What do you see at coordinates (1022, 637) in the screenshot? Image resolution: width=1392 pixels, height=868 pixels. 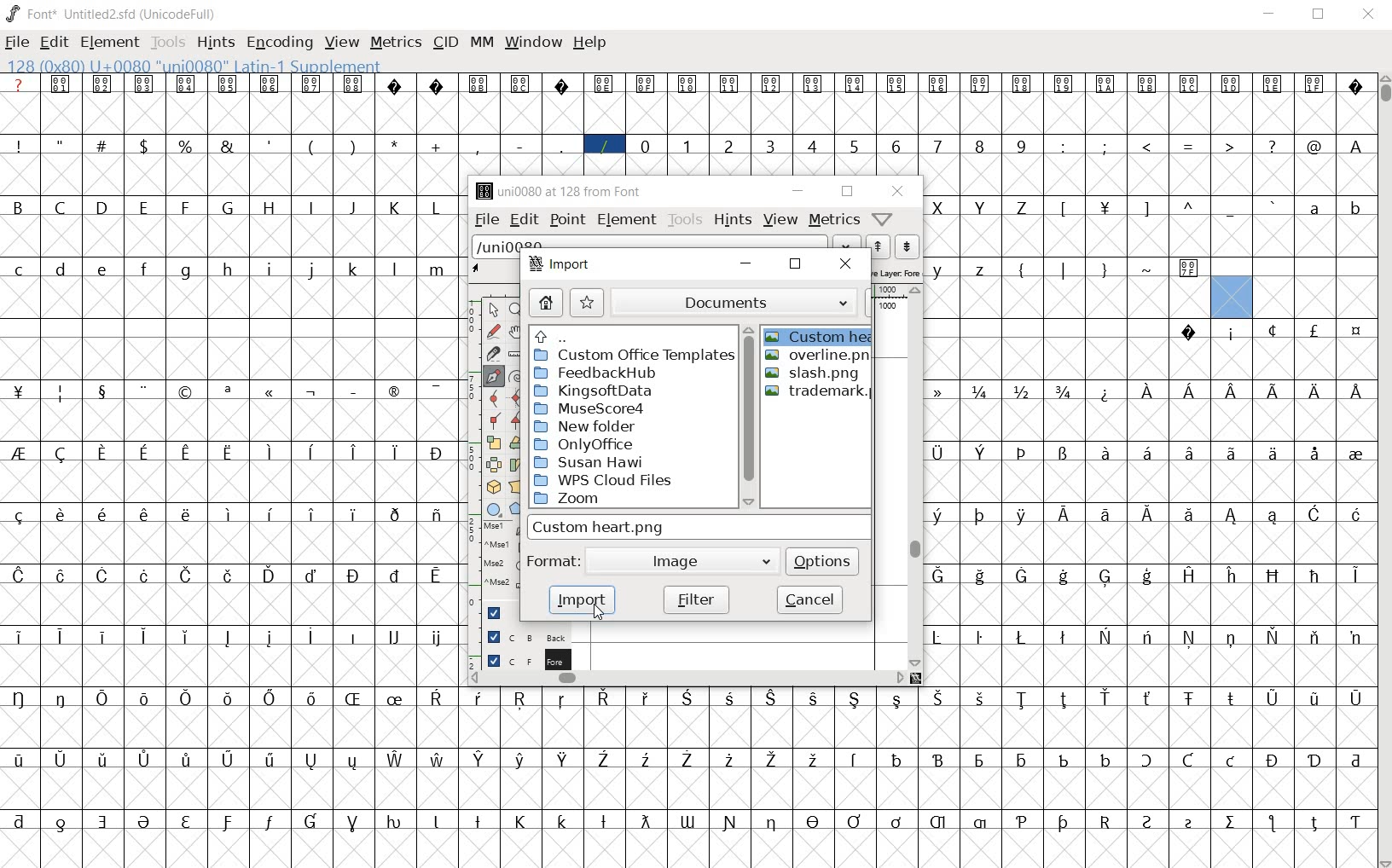 I see `glyph` at bounding box center [1022, 637].